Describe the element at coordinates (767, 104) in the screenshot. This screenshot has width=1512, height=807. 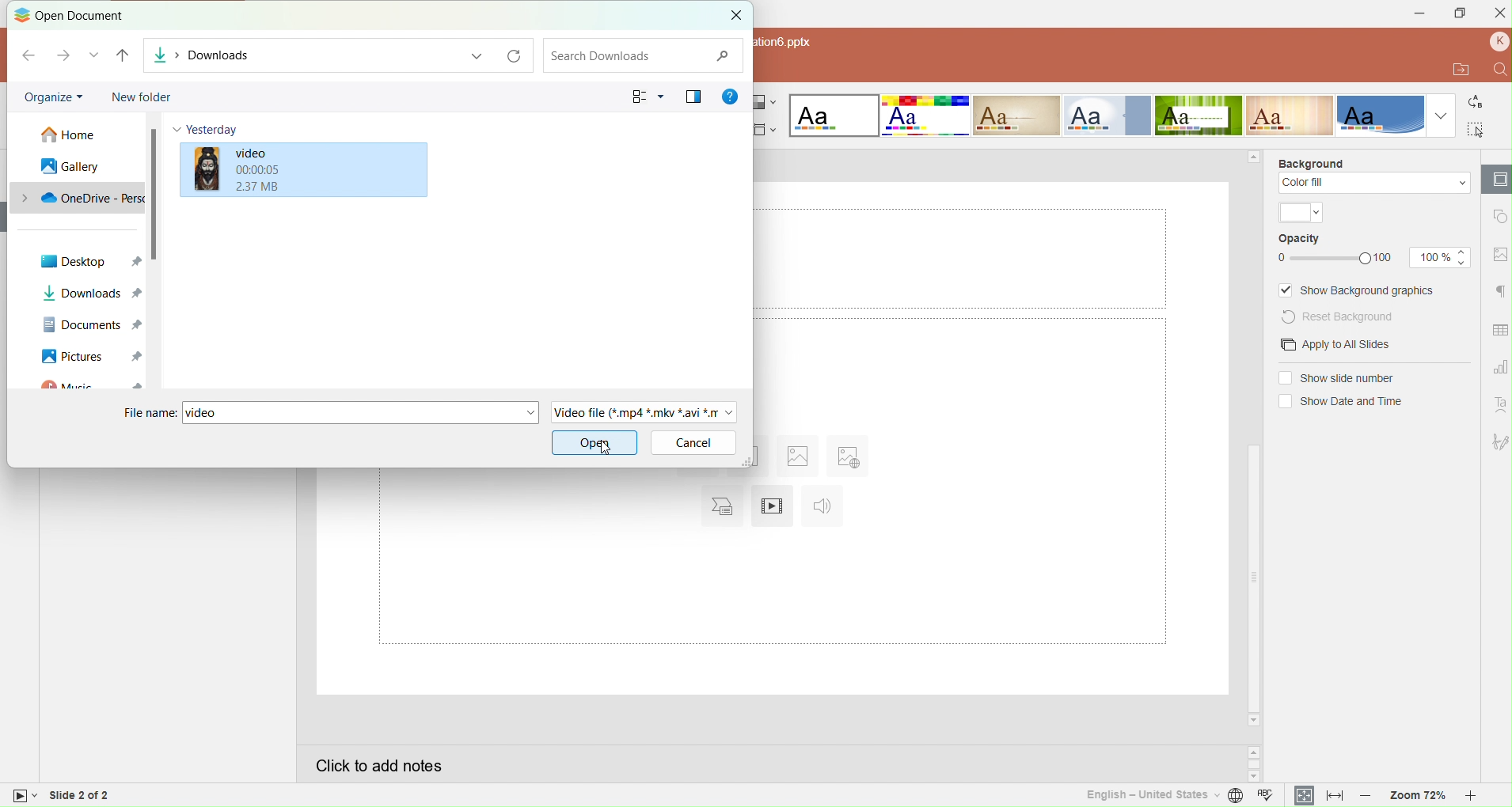
I see `Change color theme` at that location.